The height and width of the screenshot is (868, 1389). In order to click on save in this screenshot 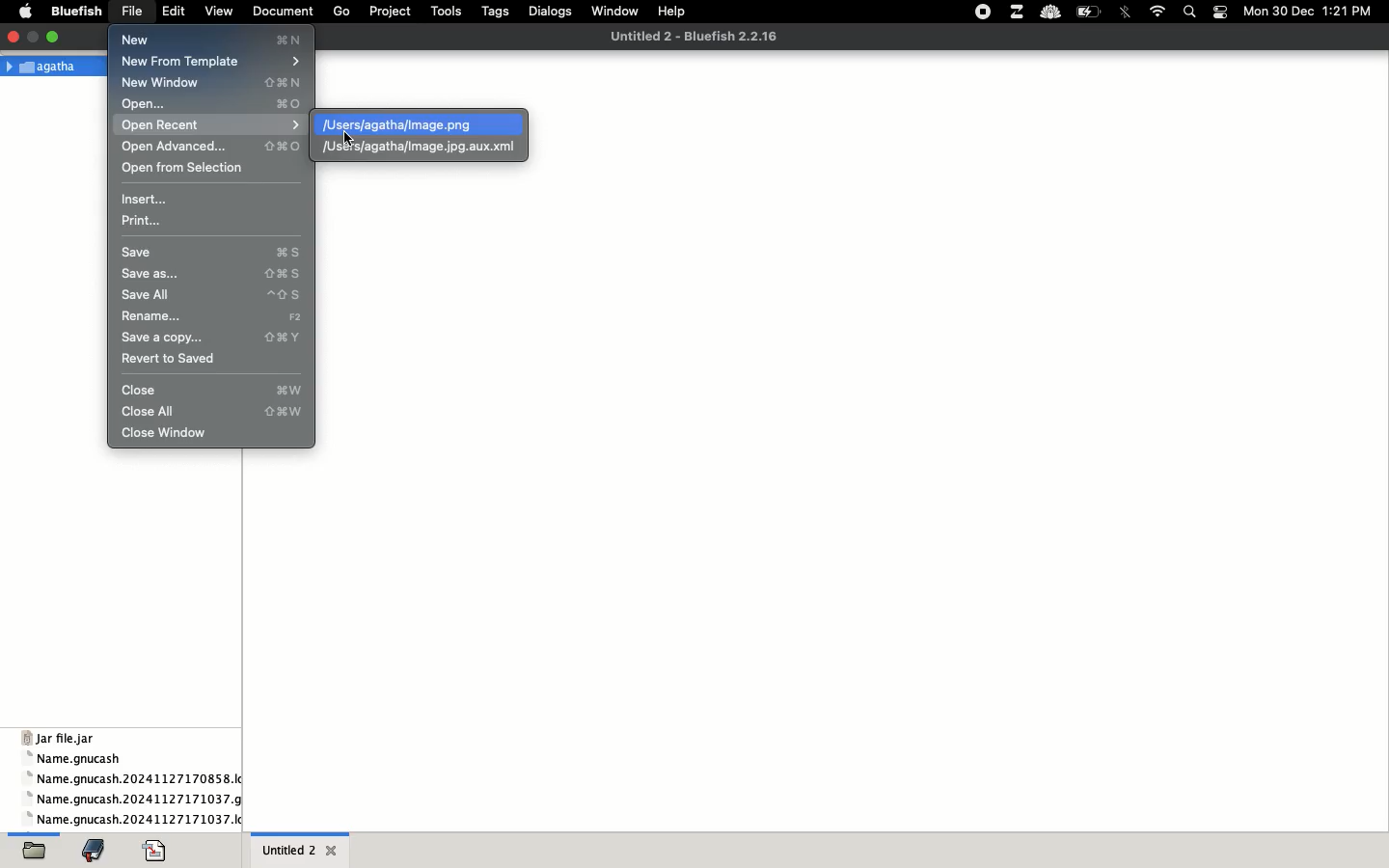, I will do `click(209, 252)`.